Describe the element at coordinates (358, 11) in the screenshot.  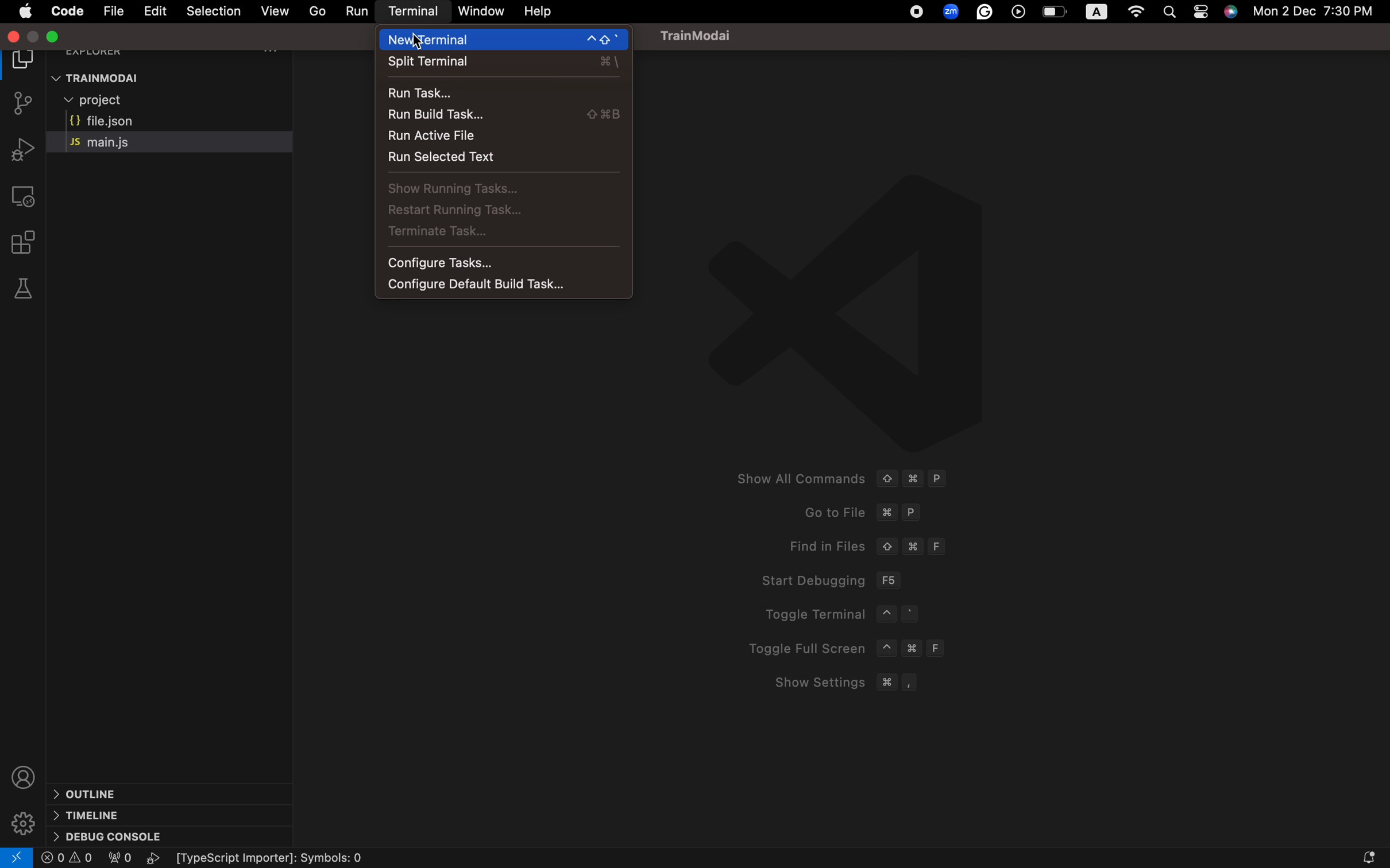
I see `run` at that location.